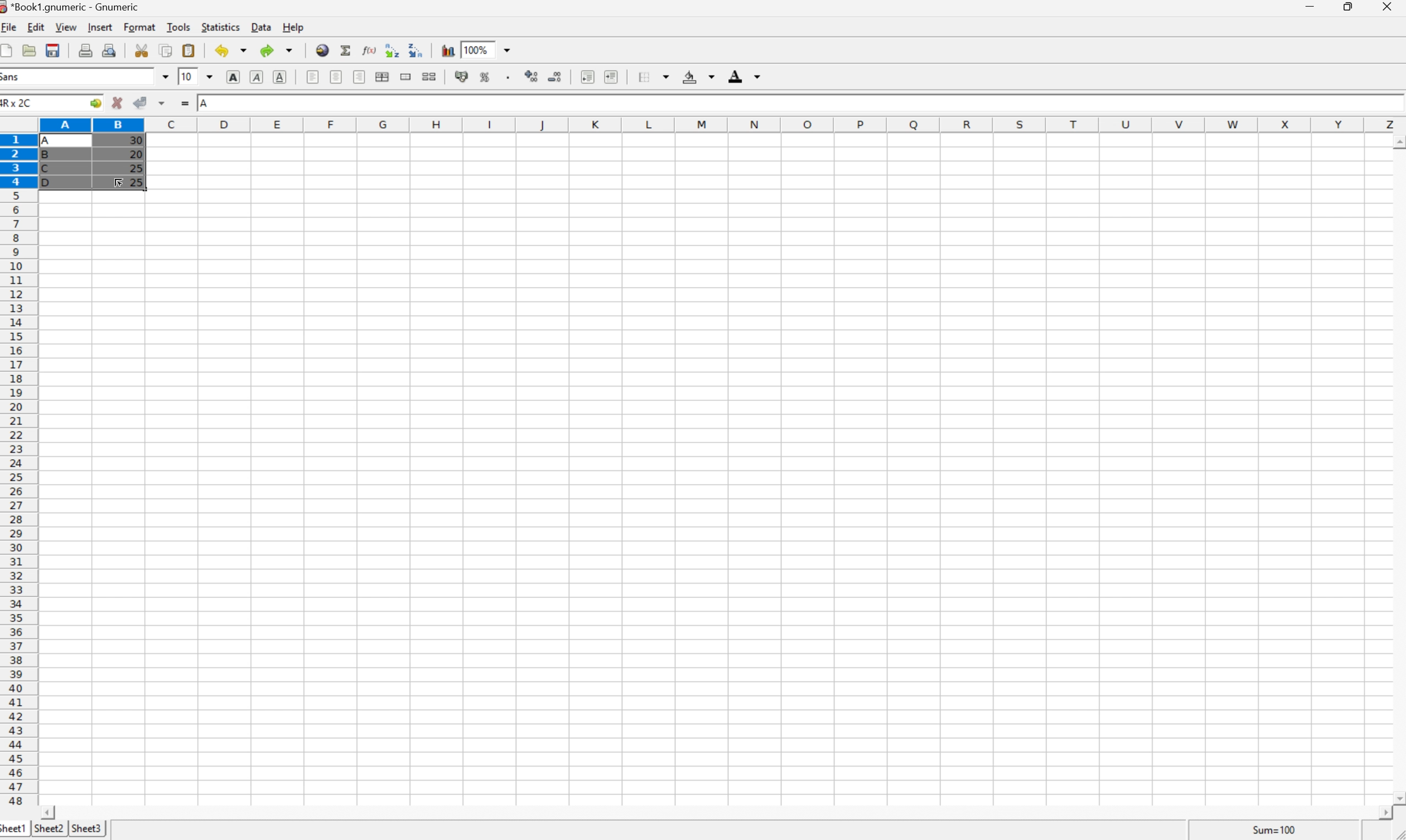 This screenshot has height=840, width=1406. I want to click on Sans, so click(12, 76).